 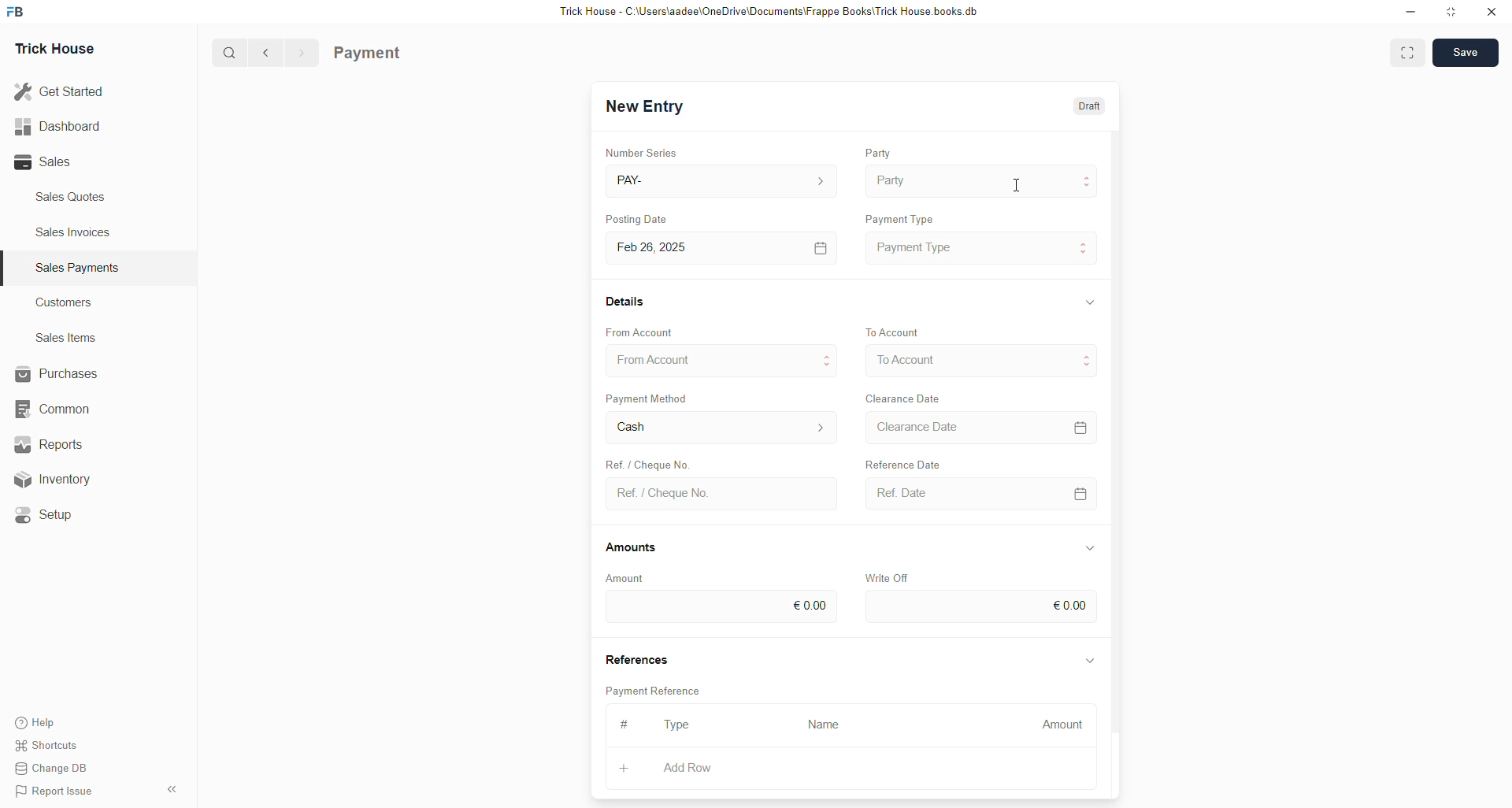 I want to click on Back, so click(x=266, y=54).